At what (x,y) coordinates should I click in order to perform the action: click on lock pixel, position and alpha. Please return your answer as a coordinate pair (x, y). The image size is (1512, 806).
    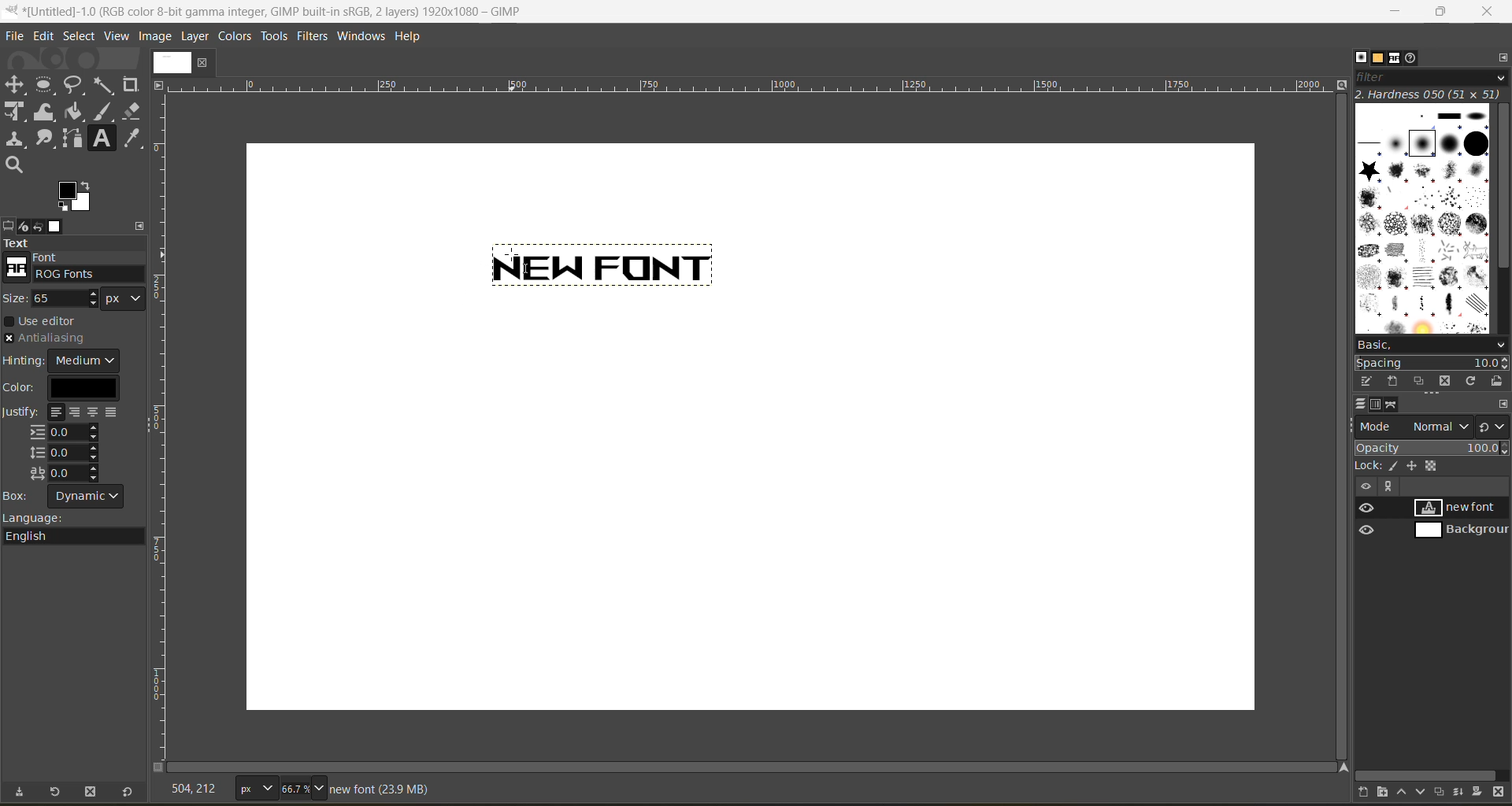
    Looking at the image, I should click on (1431, 467).